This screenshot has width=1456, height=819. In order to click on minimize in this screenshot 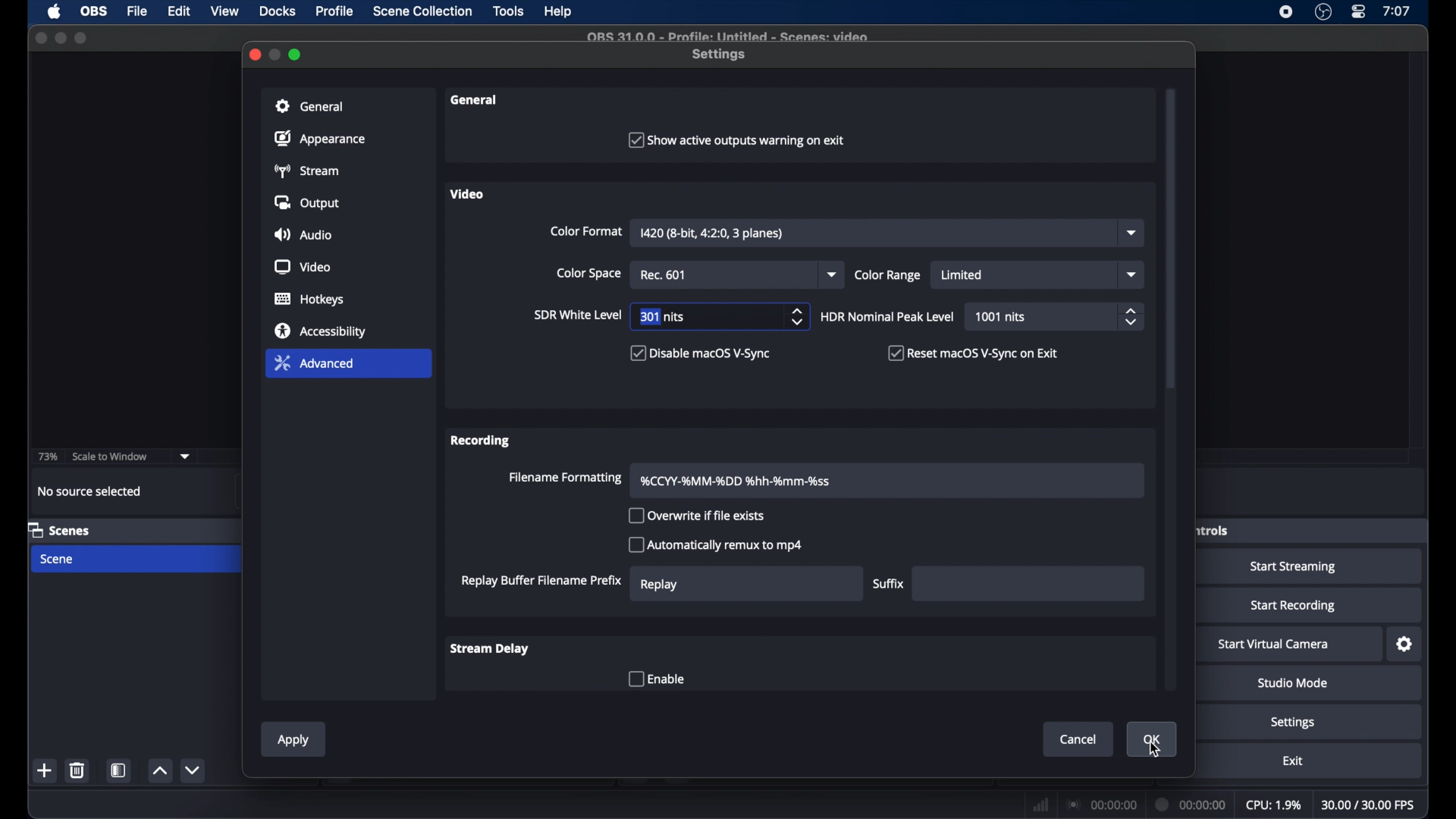, I will do `click(274, 54)`.